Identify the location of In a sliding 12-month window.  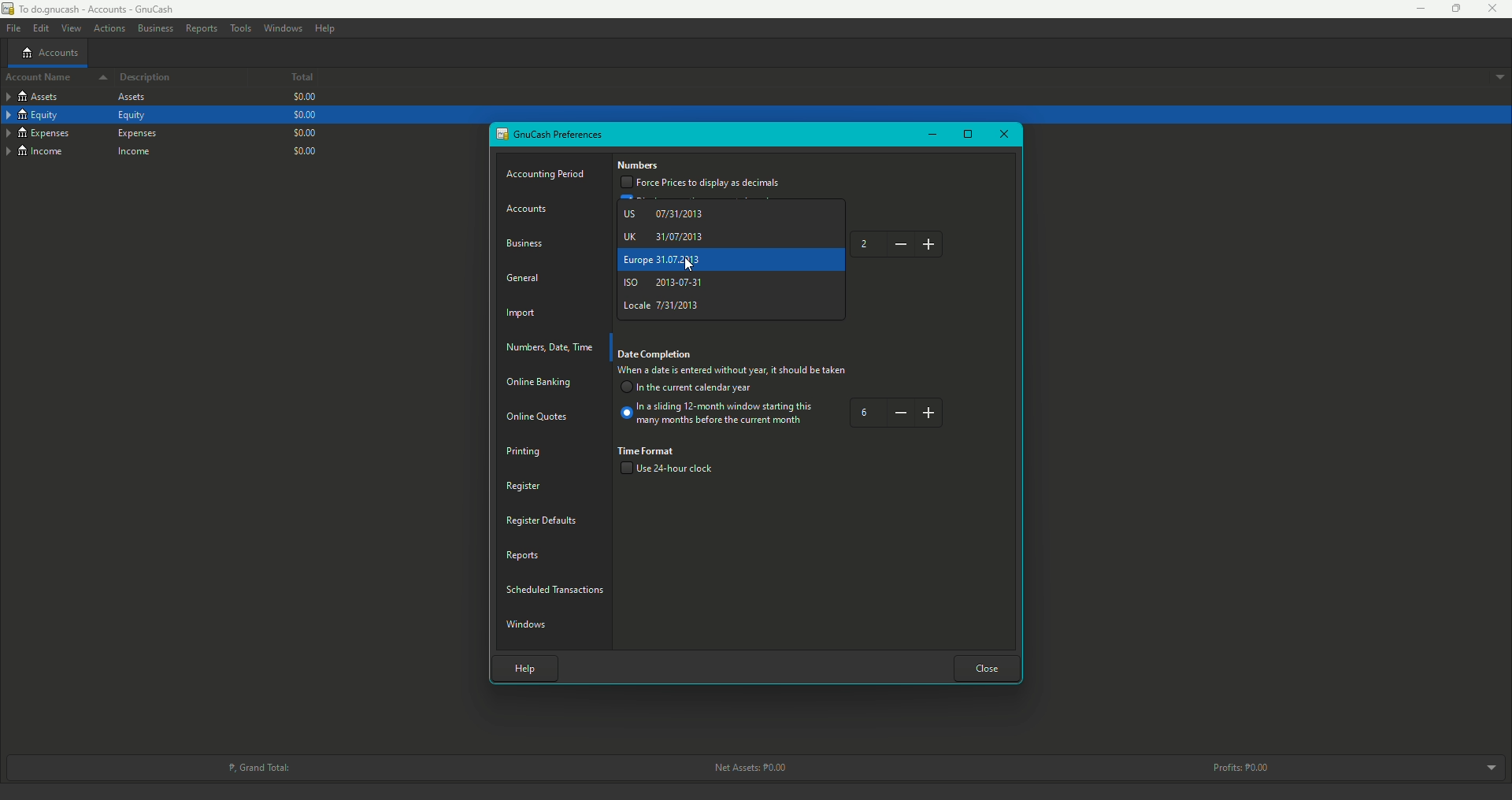
(719, 417).